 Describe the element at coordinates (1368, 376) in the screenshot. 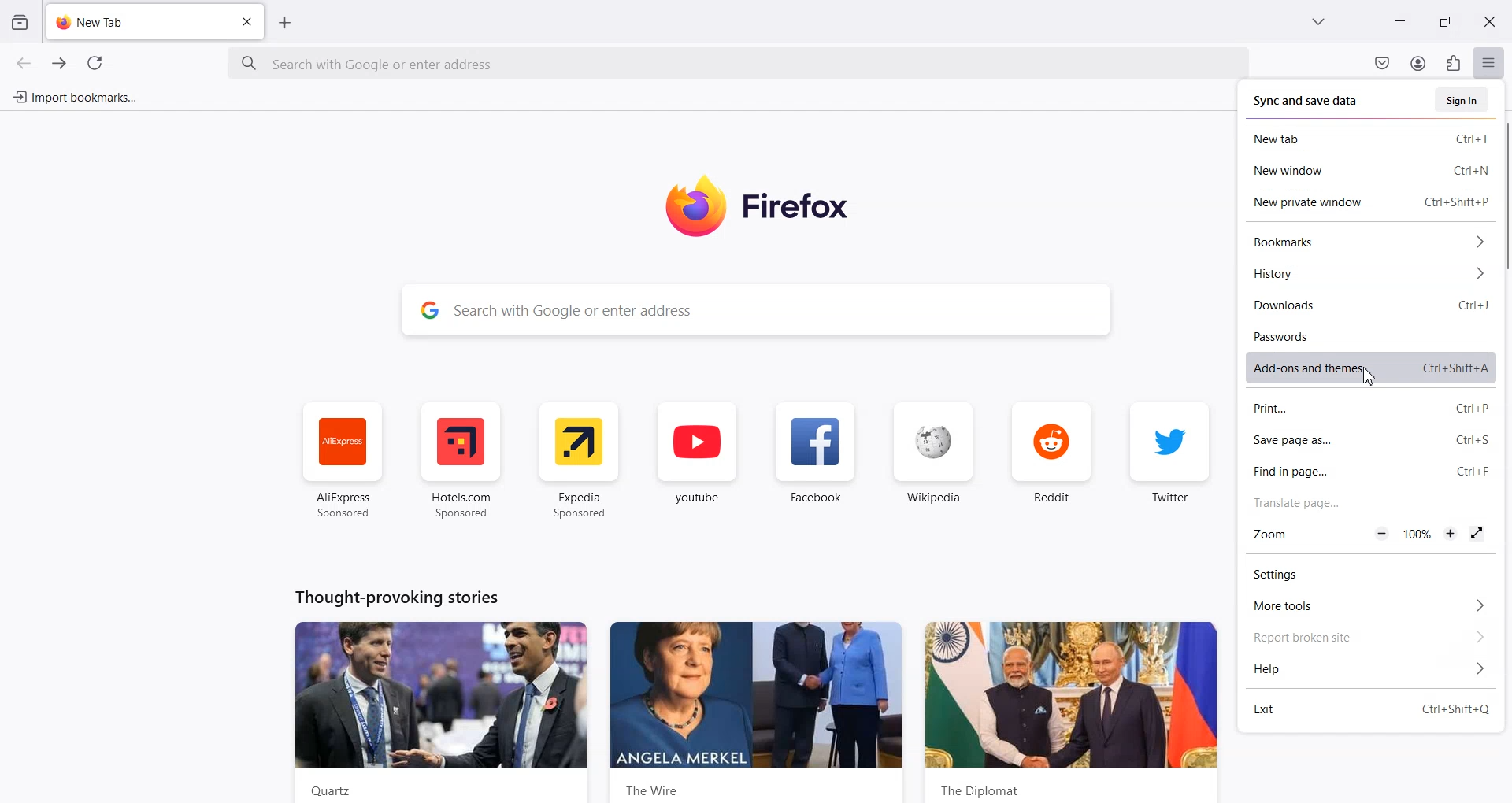

I see `Cursor` at that location.